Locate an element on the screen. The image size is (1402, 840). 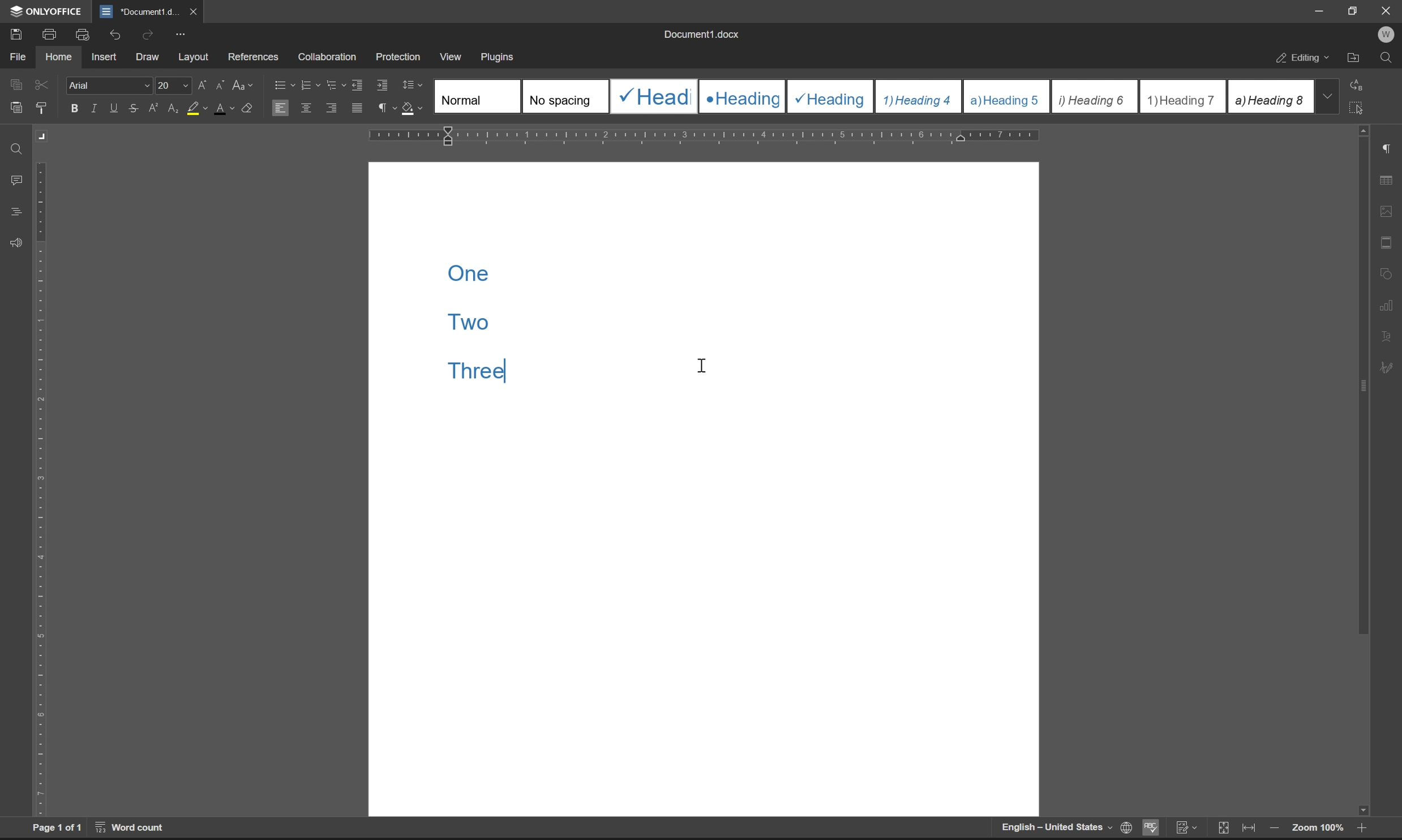
Close is located at coordinates (1387, 11).